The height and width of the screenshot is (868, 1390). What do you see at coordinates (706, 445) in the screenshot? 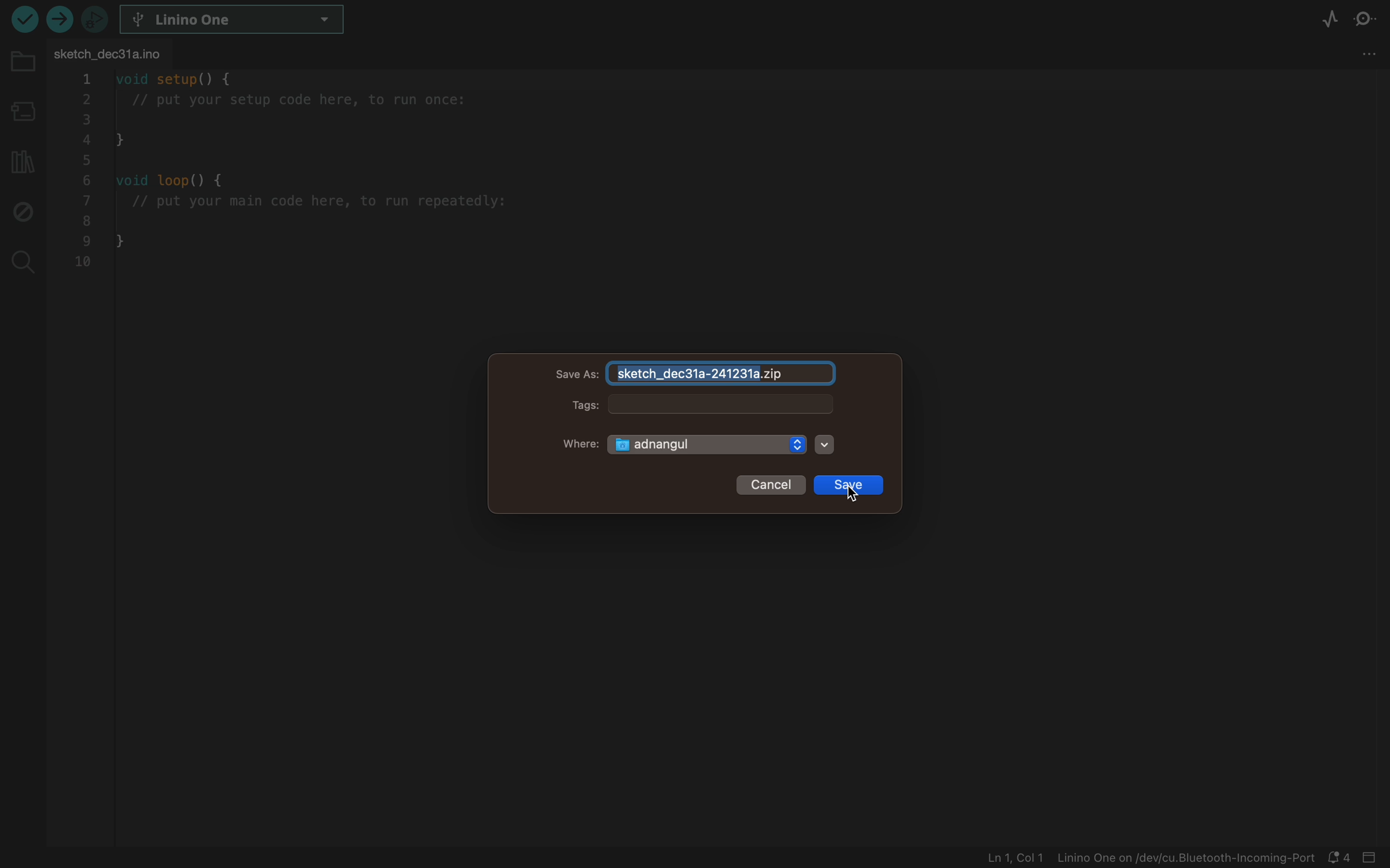
I see `adnangul` at bounding box center [706, 445].